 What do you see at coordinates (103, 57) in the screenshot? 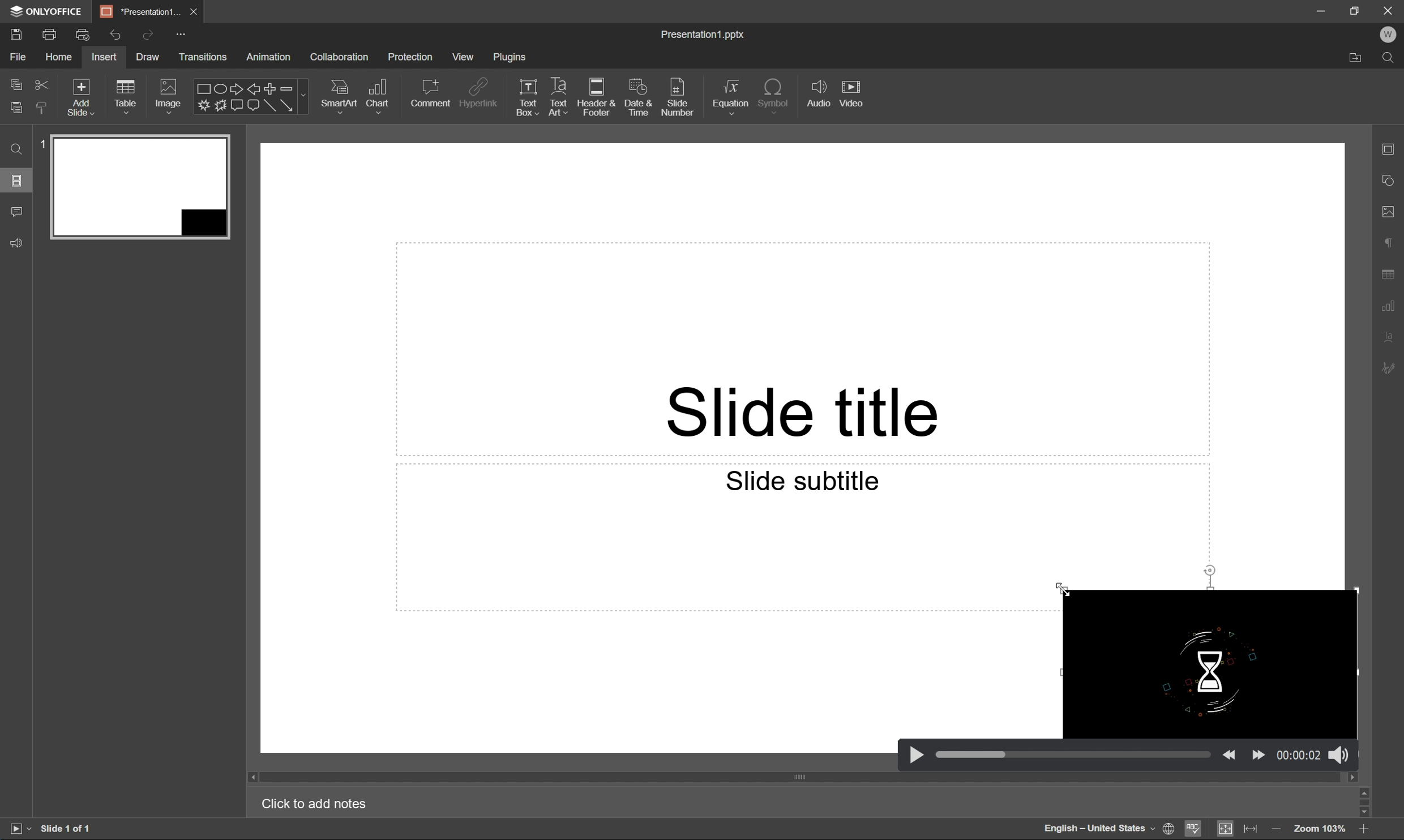
I see `insert` at bounding box center [103, 57].